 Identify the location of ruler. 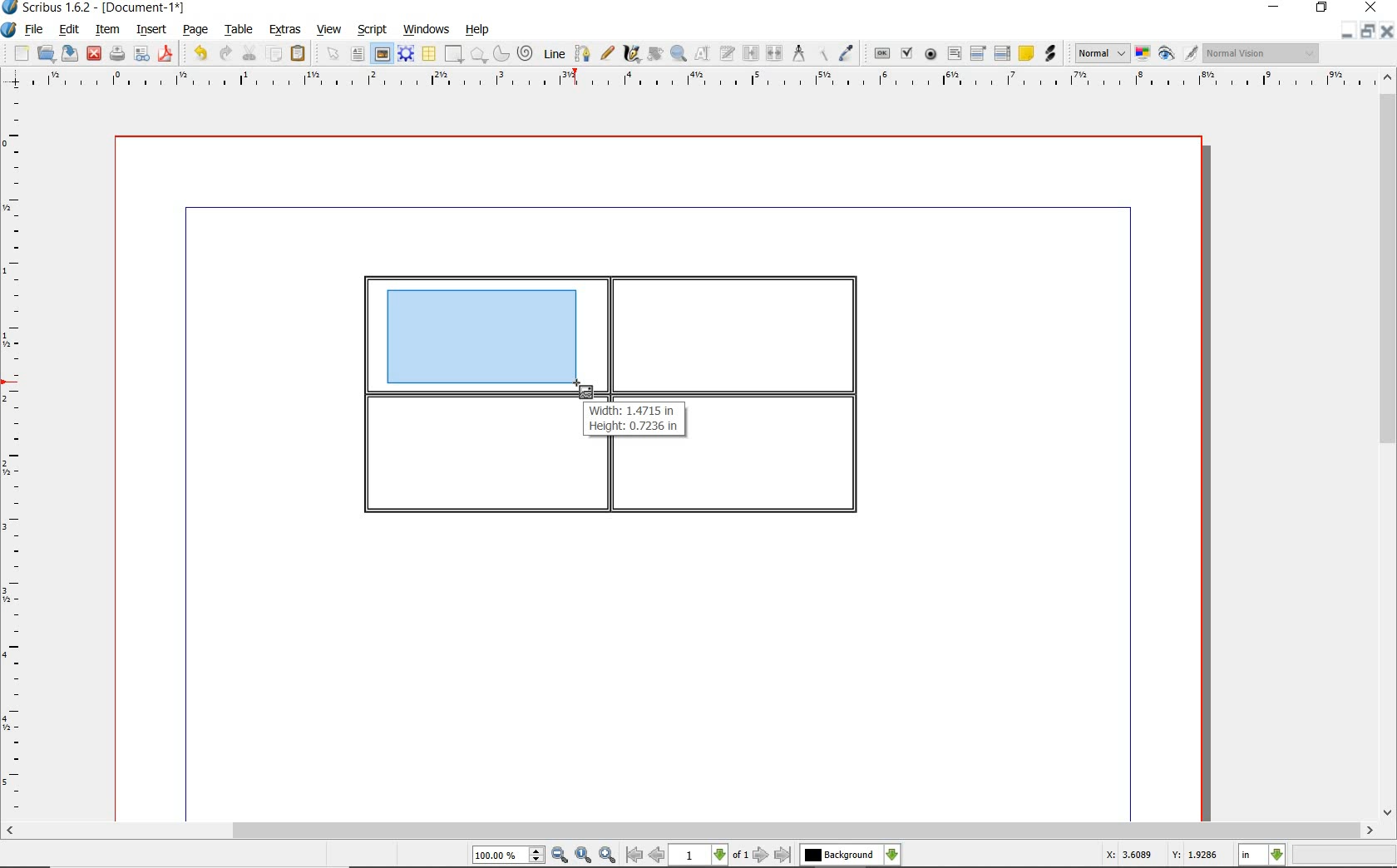
(16, 455).